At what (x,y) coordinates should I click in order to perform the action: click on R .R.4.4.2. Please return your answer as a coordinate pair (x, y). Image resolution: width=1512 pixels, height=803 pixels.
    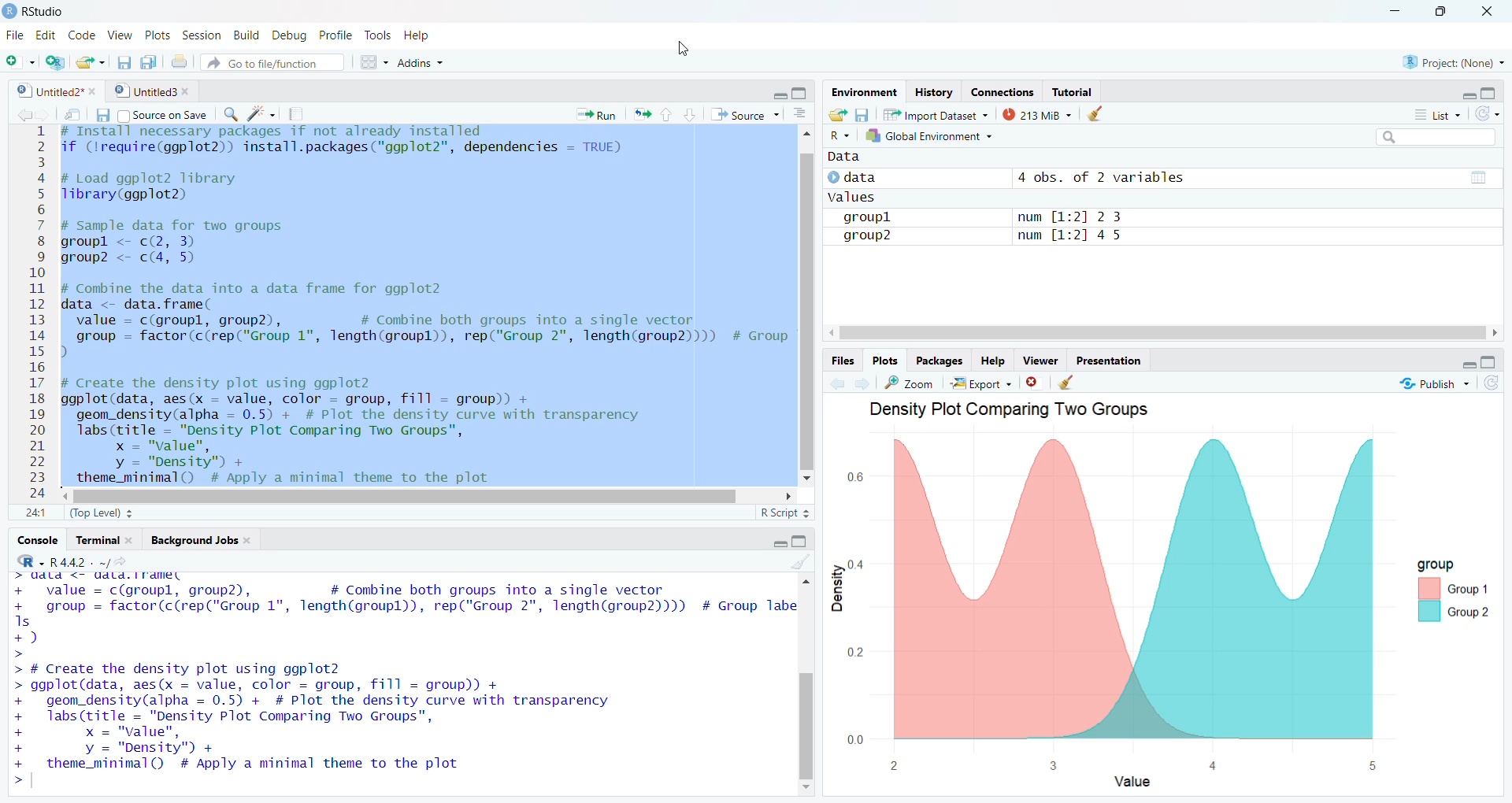
    Looking at the image, I should click on (61, 561).